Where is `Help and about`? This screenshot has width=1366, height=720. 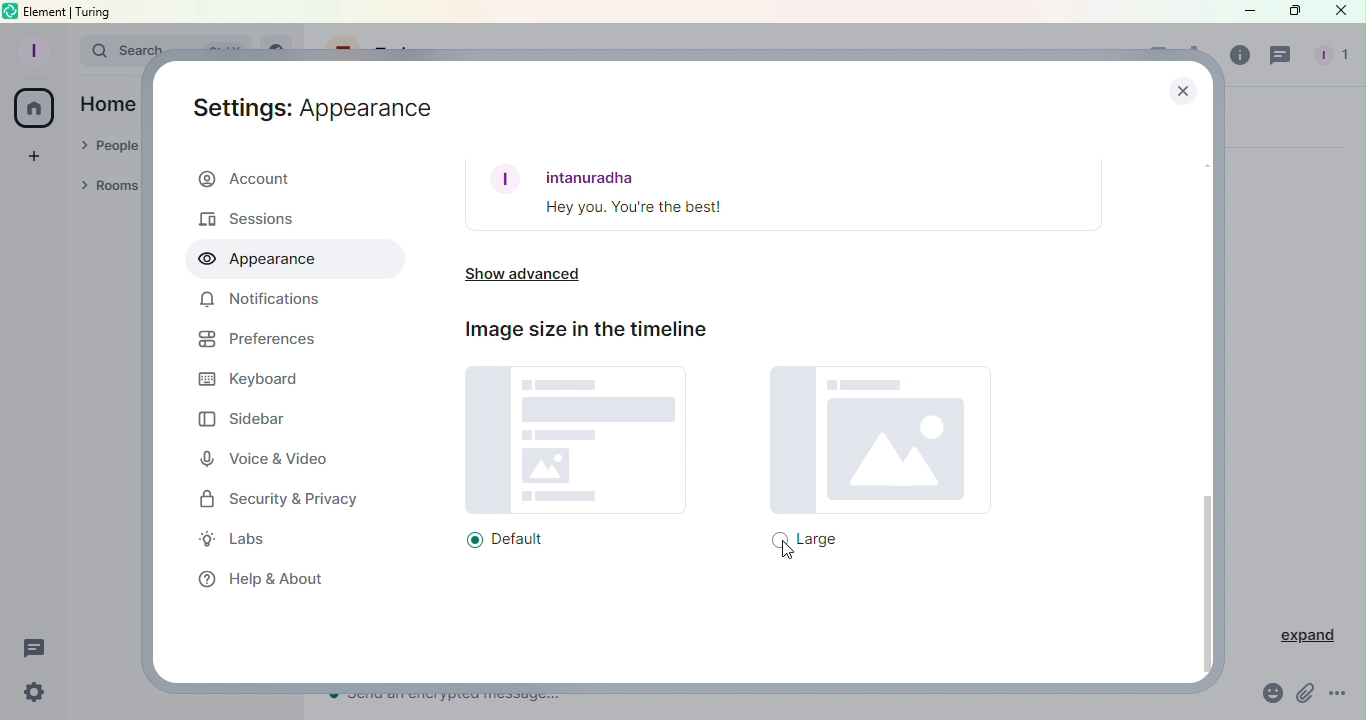
Help and about is located at coordinates (255, 577).